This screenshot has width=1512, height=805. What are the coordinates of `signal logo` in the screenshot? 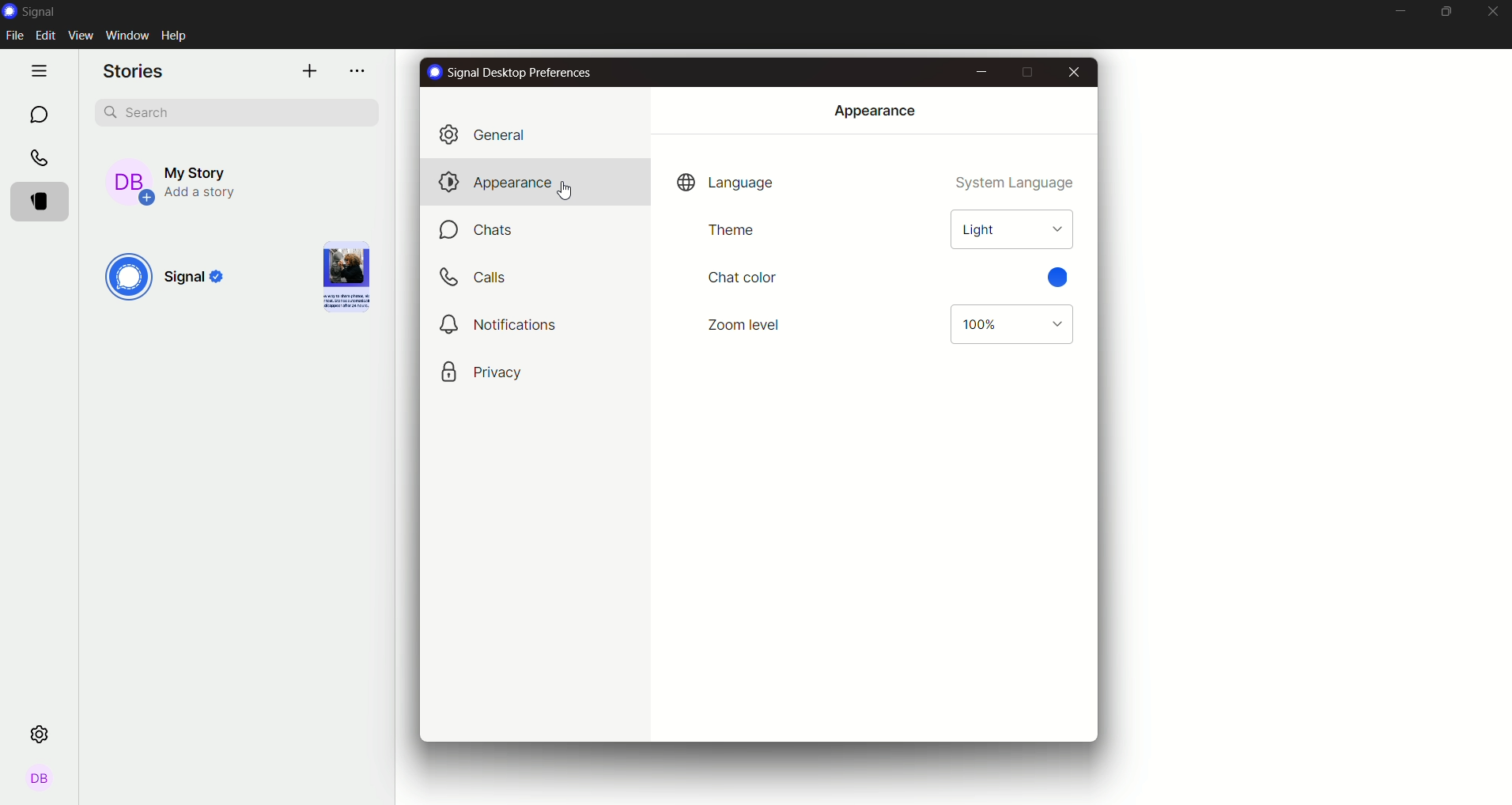 It's located at (36, 11).